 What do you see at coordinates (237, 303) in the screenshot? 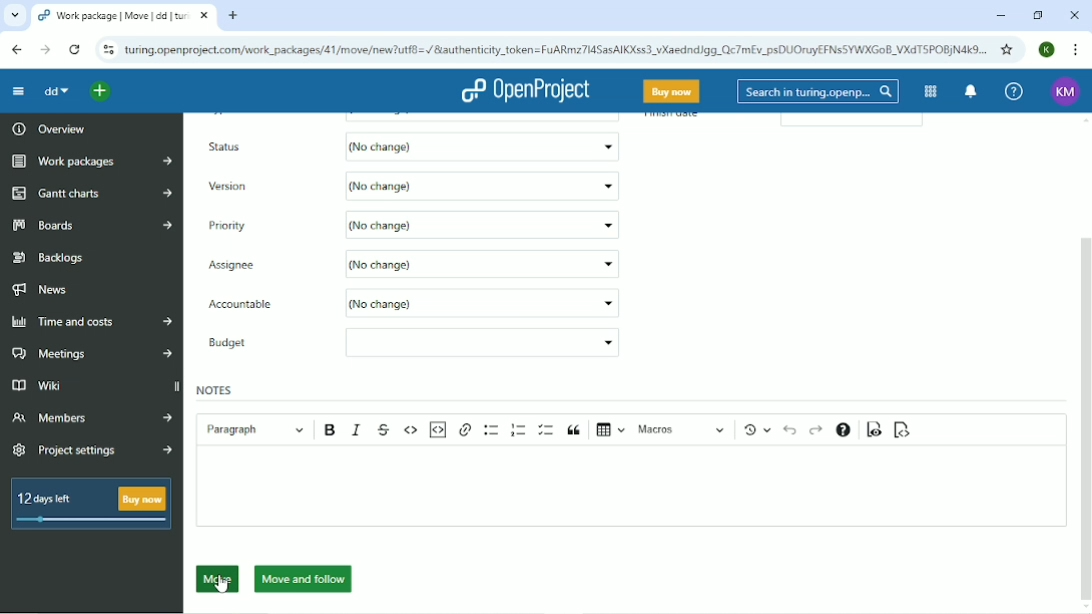
I see `Accountable` at bounding box center [237, 303].